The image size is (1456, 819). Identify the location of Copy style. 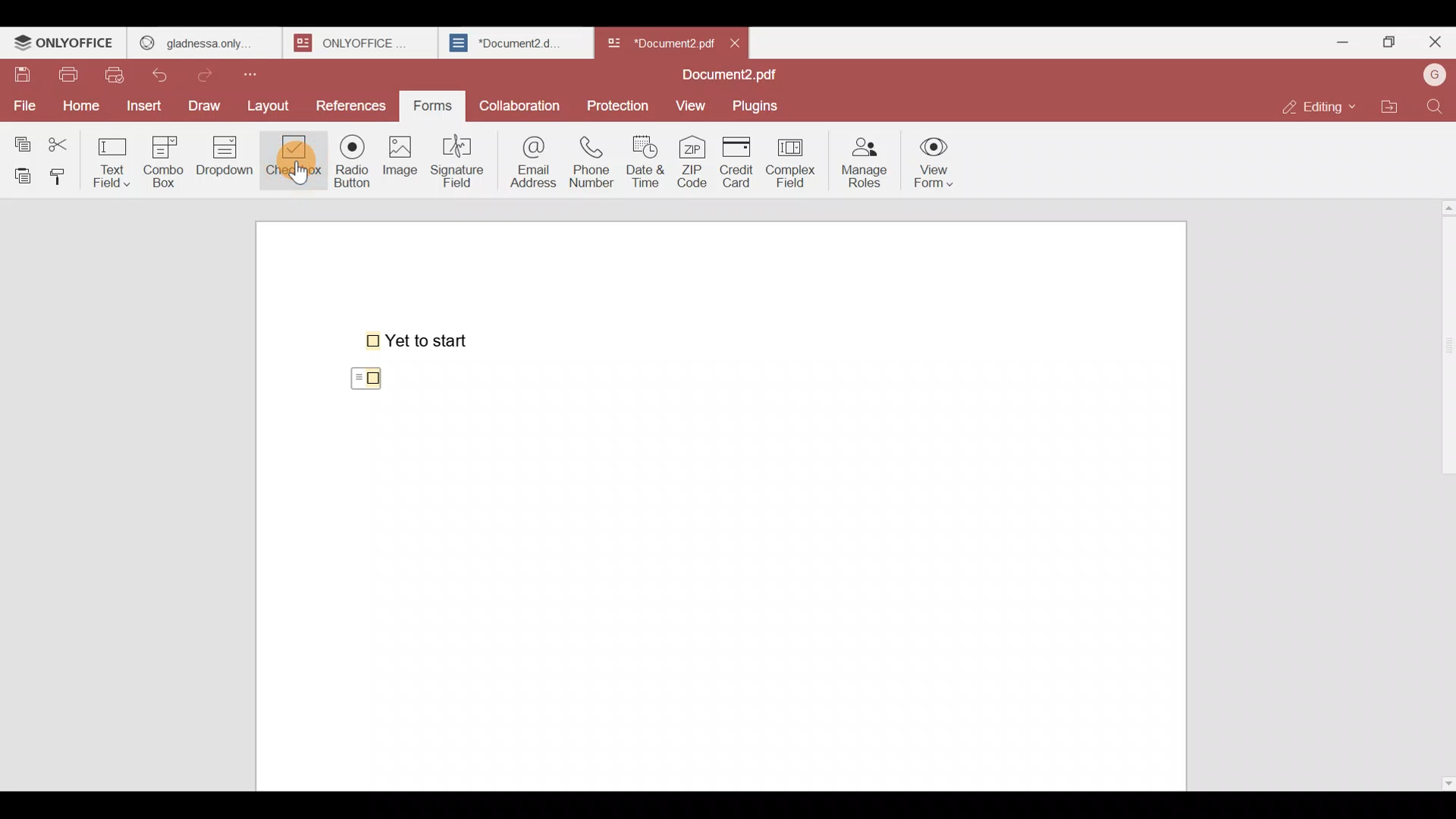
(64, 173).